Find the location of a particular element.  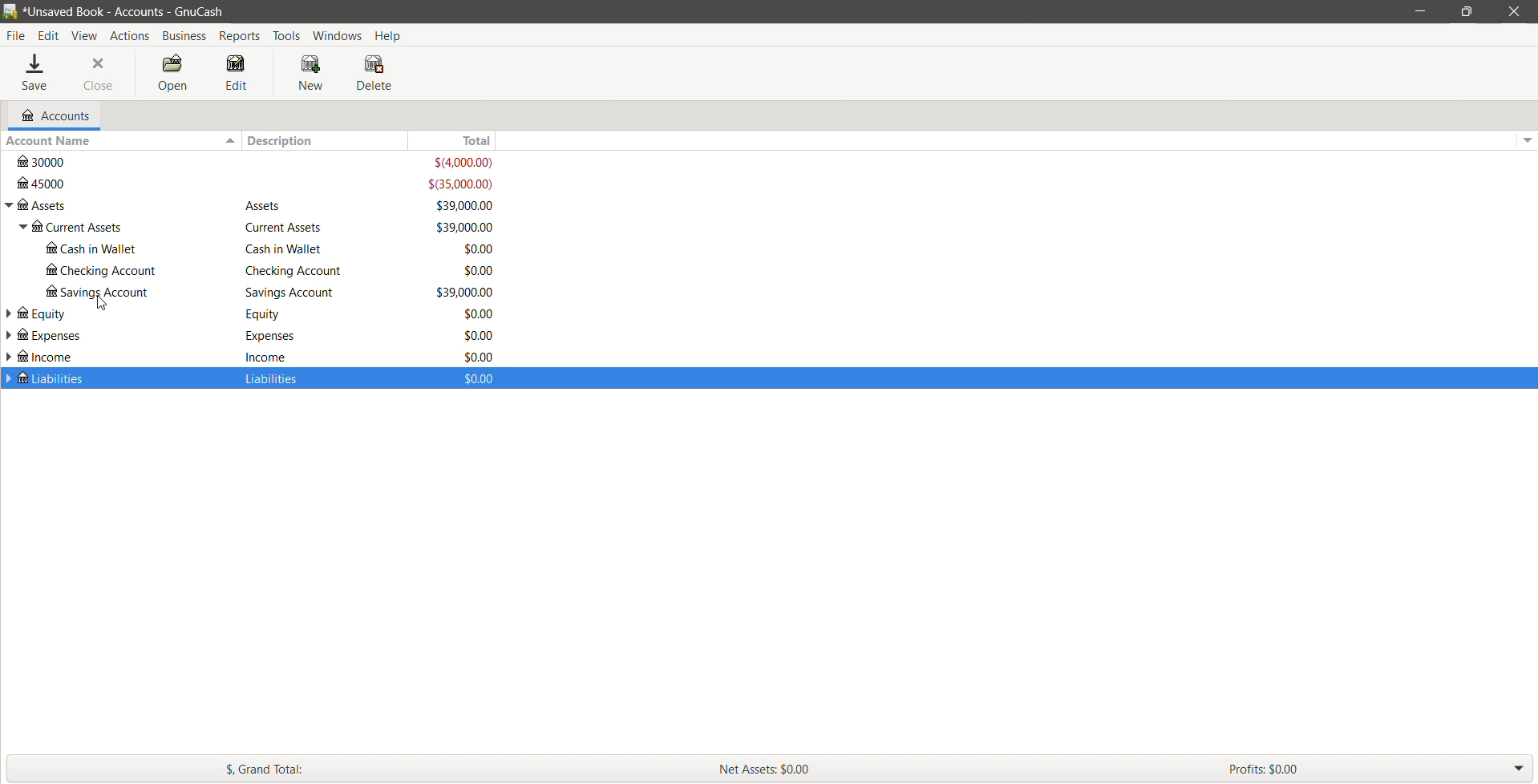

checking account is located at coordinates (97, 271).